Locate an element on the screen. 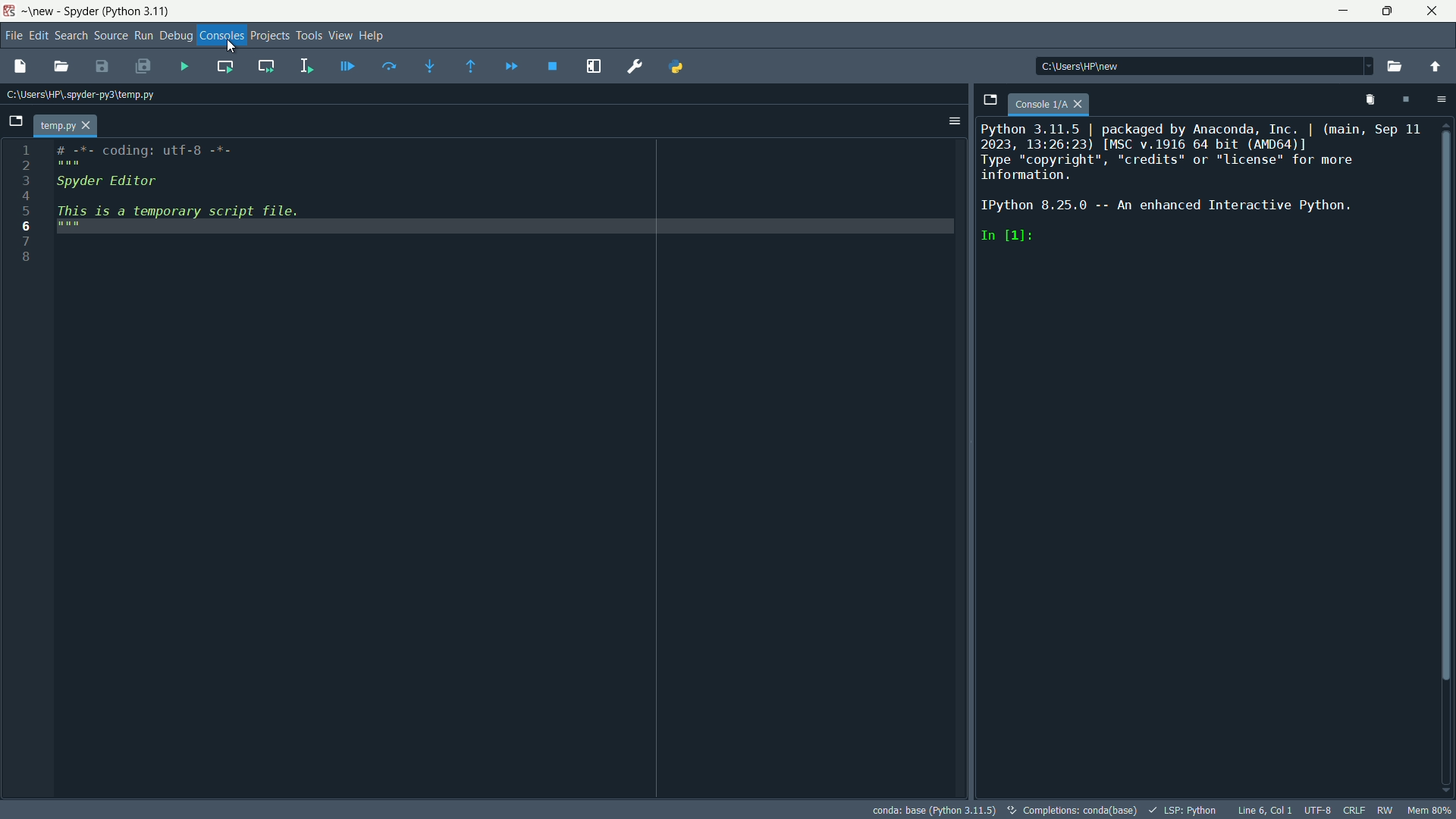 This screenshot has height=819, width=1456. maximize is located at coordinates (1384, 12).